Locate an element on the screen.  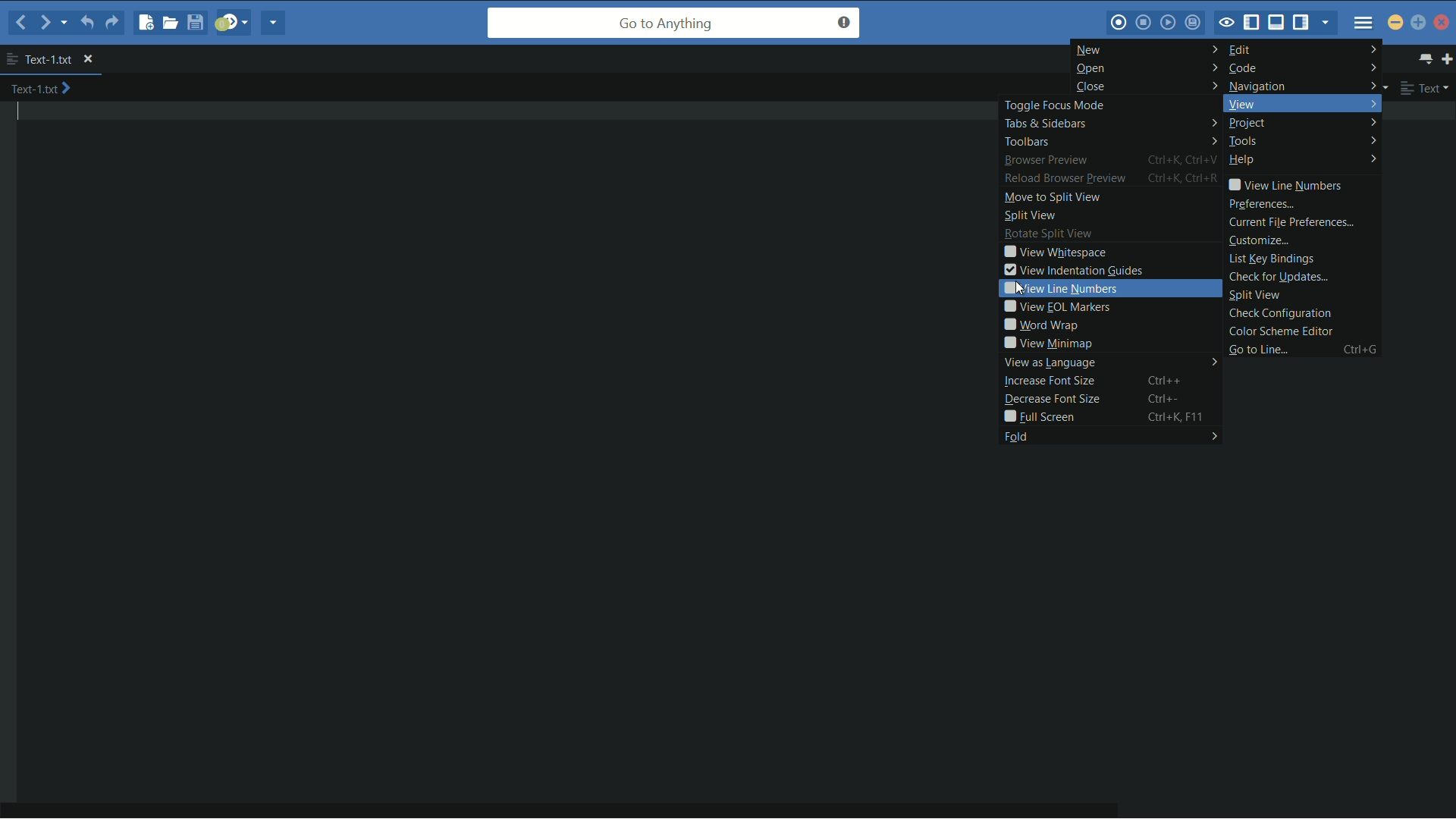
reload browse preview is located at coordinates (1063, 179).